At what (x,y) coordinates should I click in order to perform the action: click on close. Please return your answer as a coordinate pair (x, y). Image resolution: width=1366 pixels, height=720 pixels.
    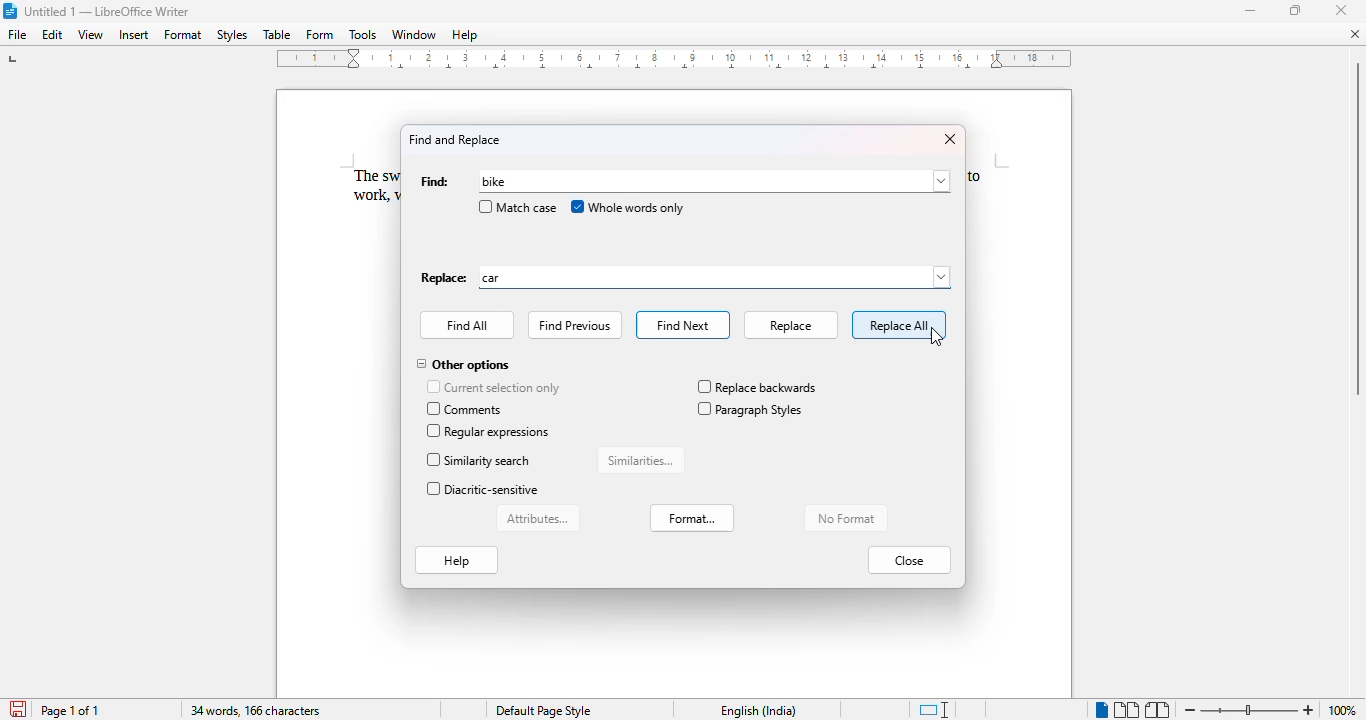
    Looking at the image, I should click on (1341, 10).